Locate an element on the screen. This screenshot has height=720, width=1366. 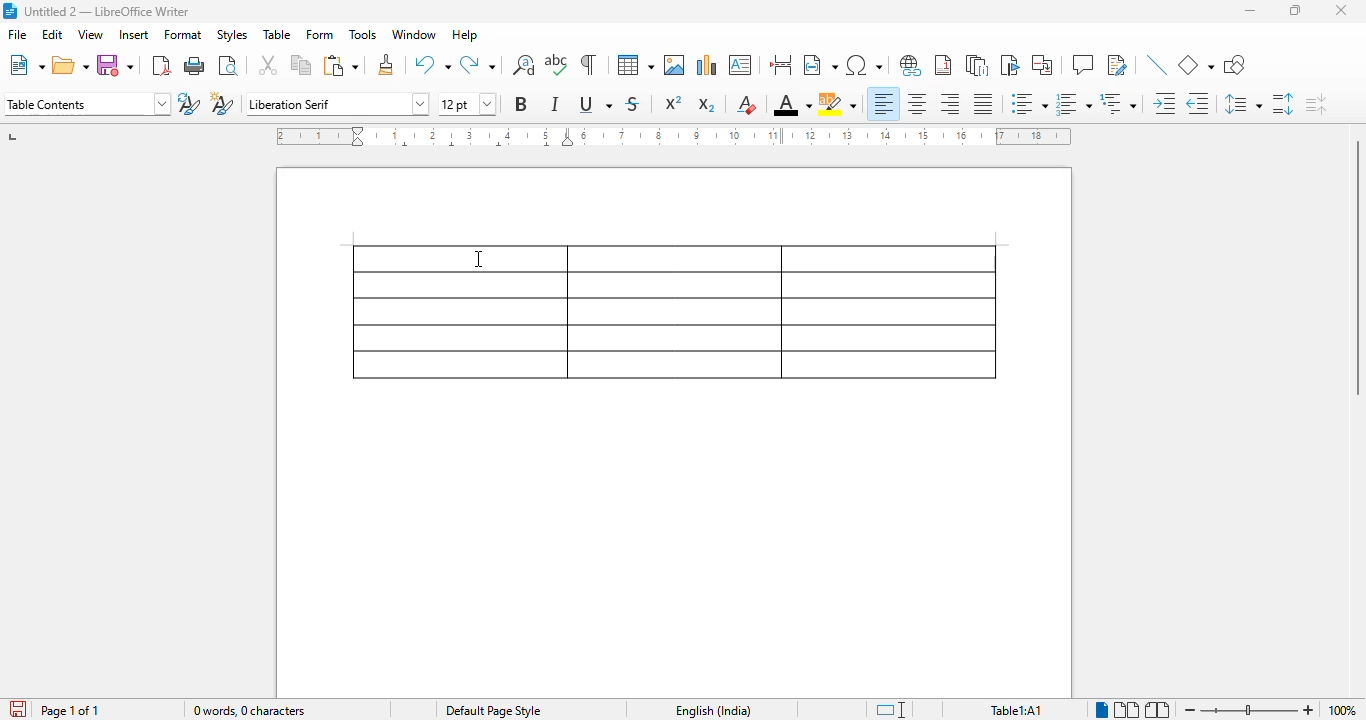
insert image is located at coordinates (674, 65).